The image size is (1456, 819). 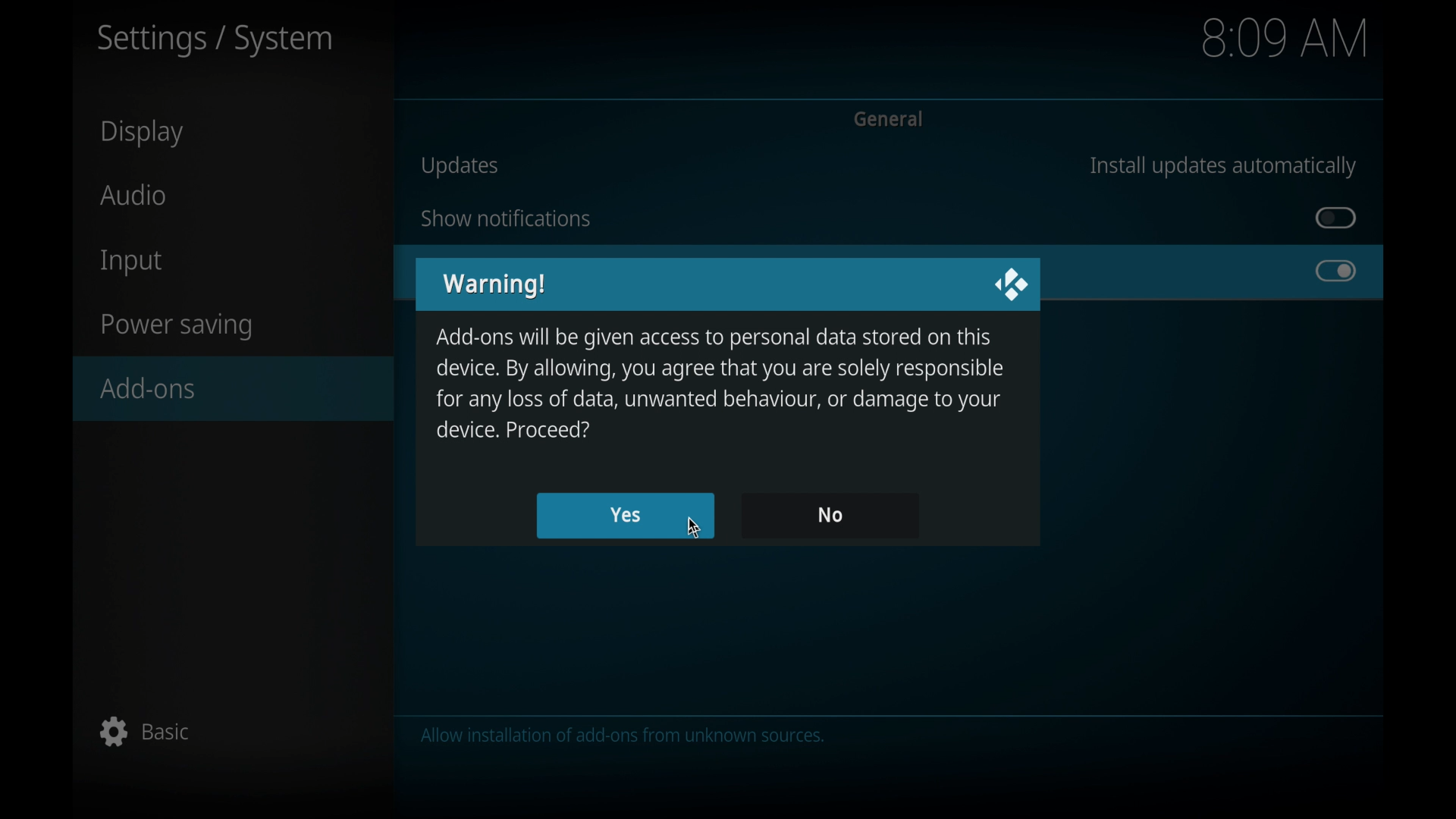 I want to click on display, so click(x=145, y=133).